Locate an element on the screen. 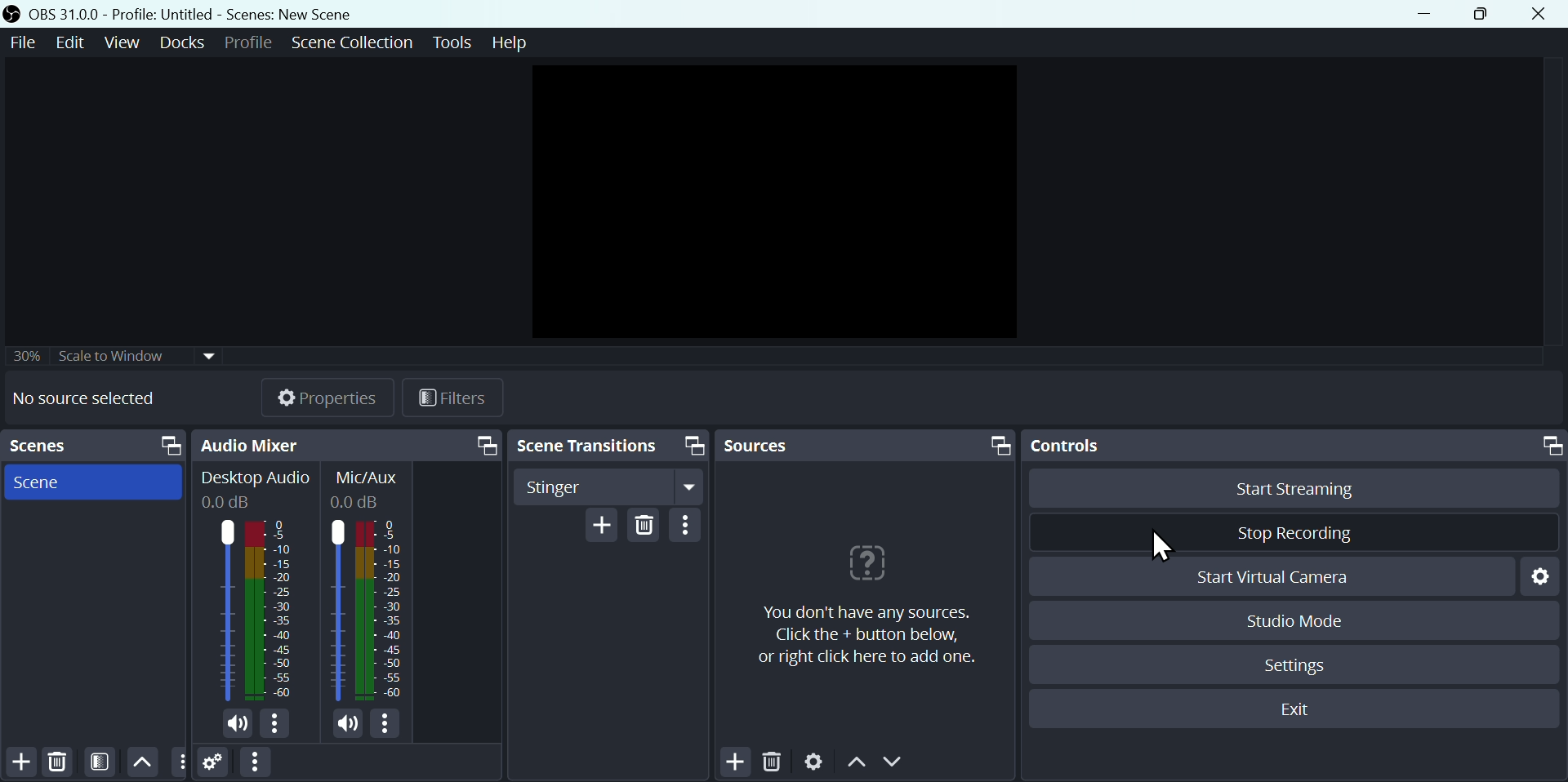 This screenshot has width=1568, height=782. Settings is located at coordinates (215, 765).